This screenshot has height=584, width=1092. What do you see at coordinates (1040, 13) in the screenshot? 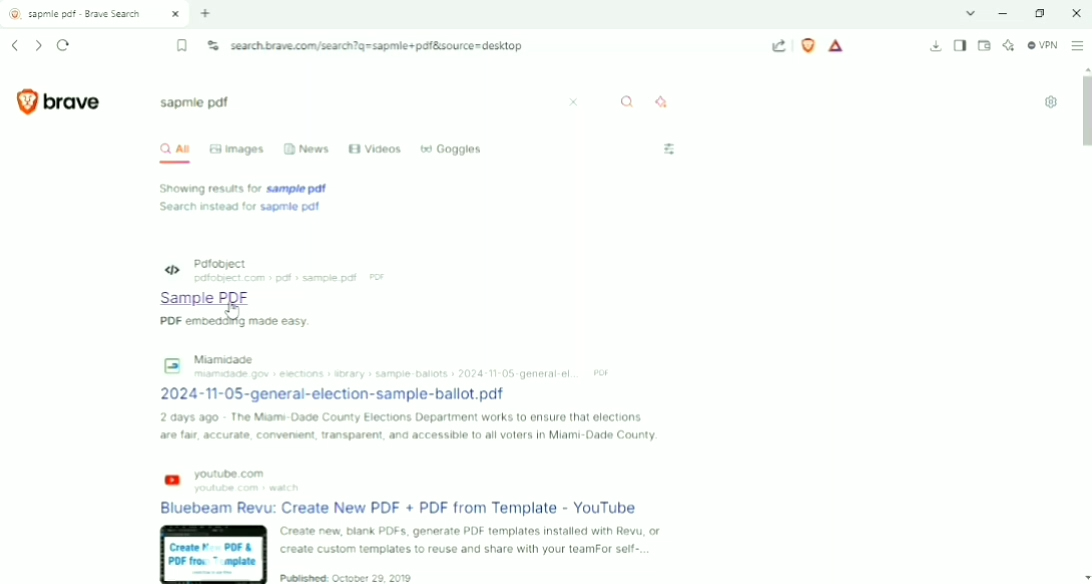
I see `Restore down` at bounding box center [1040, 13].